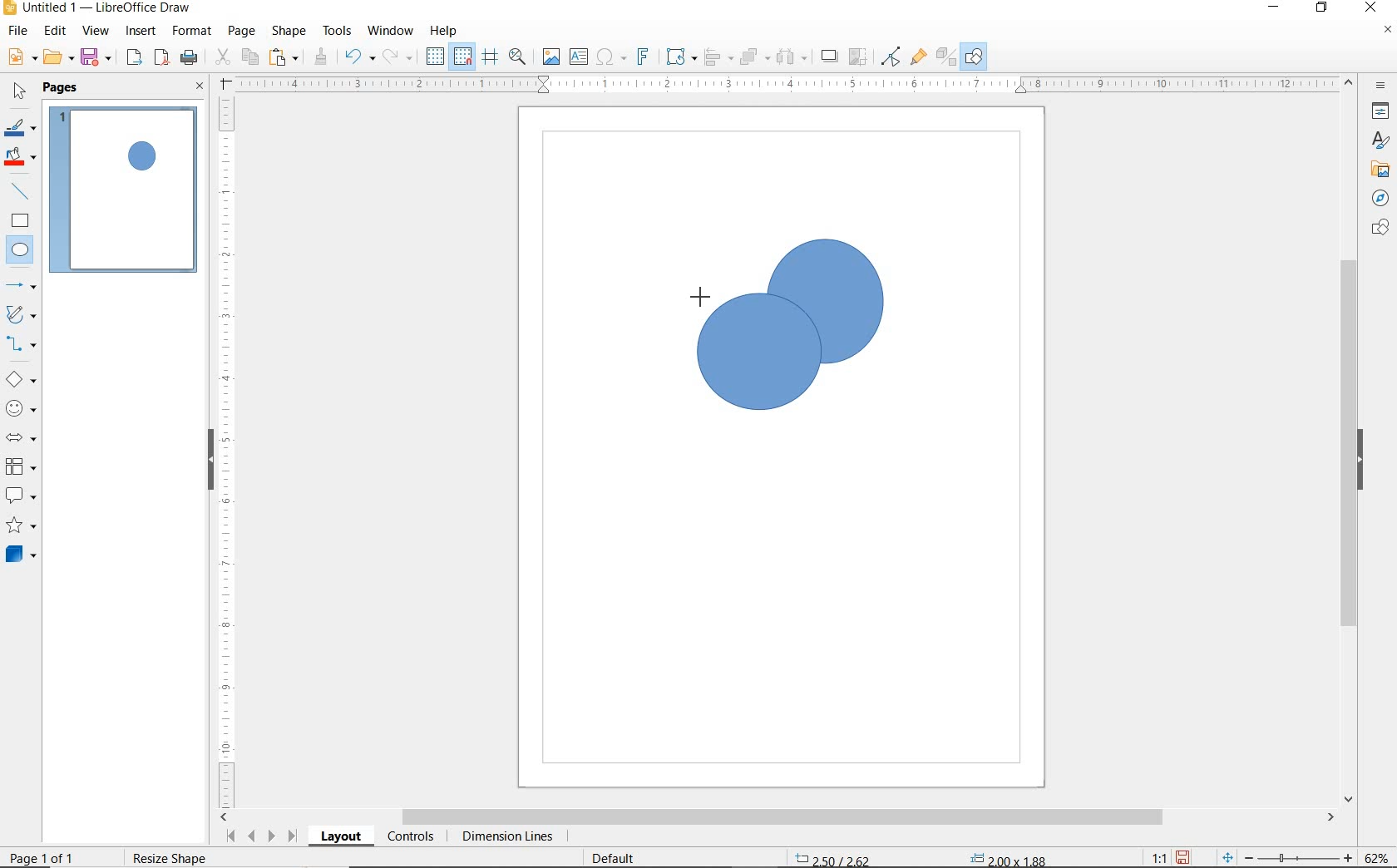 This screenshot has width=1397, height=868. Describe the element at coordinates (135, 58) in the screenshot. I see `EXPORT` at that location.